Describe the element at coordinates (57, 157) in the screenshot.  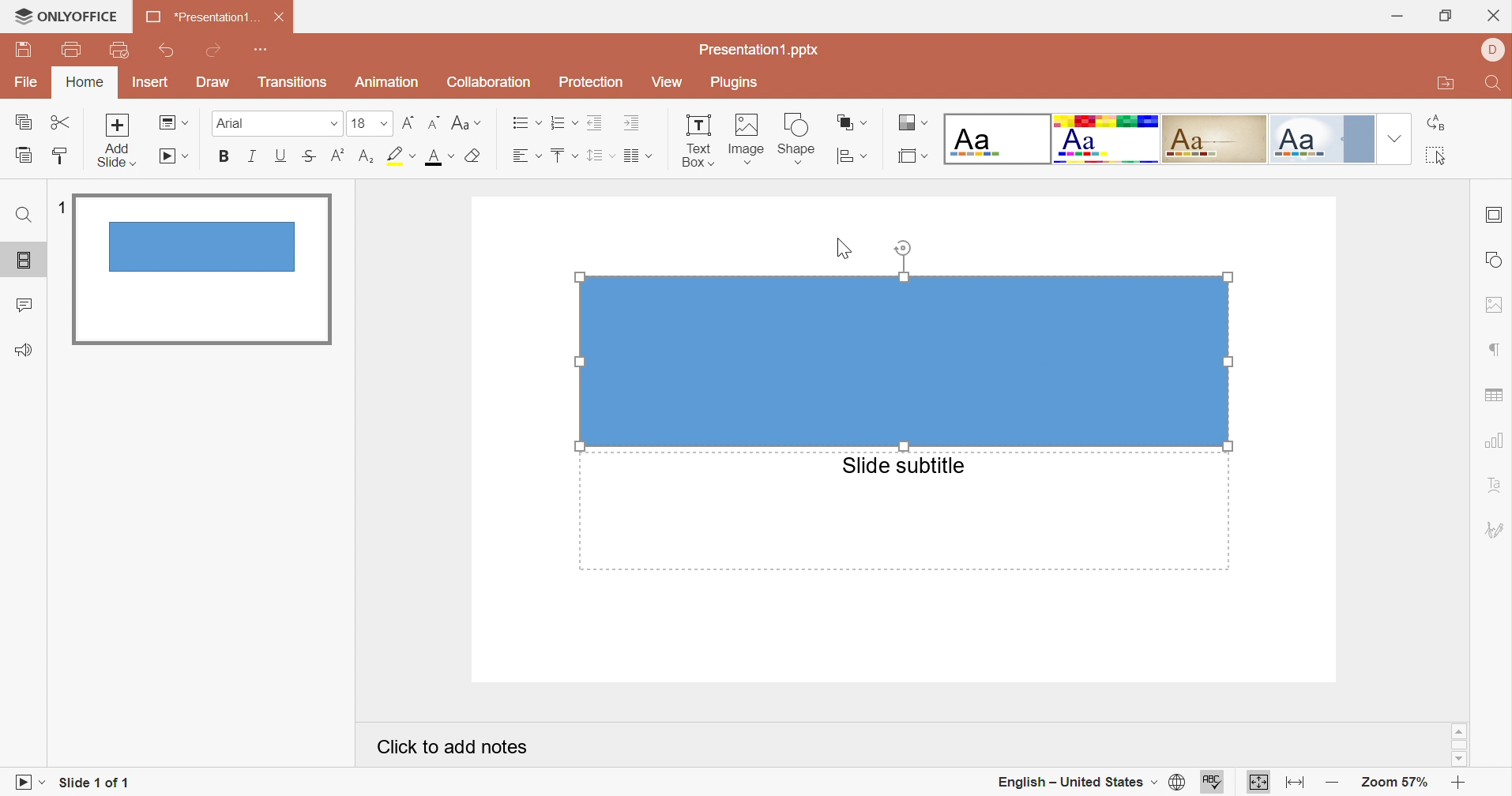
I see `Copy style` at that location.